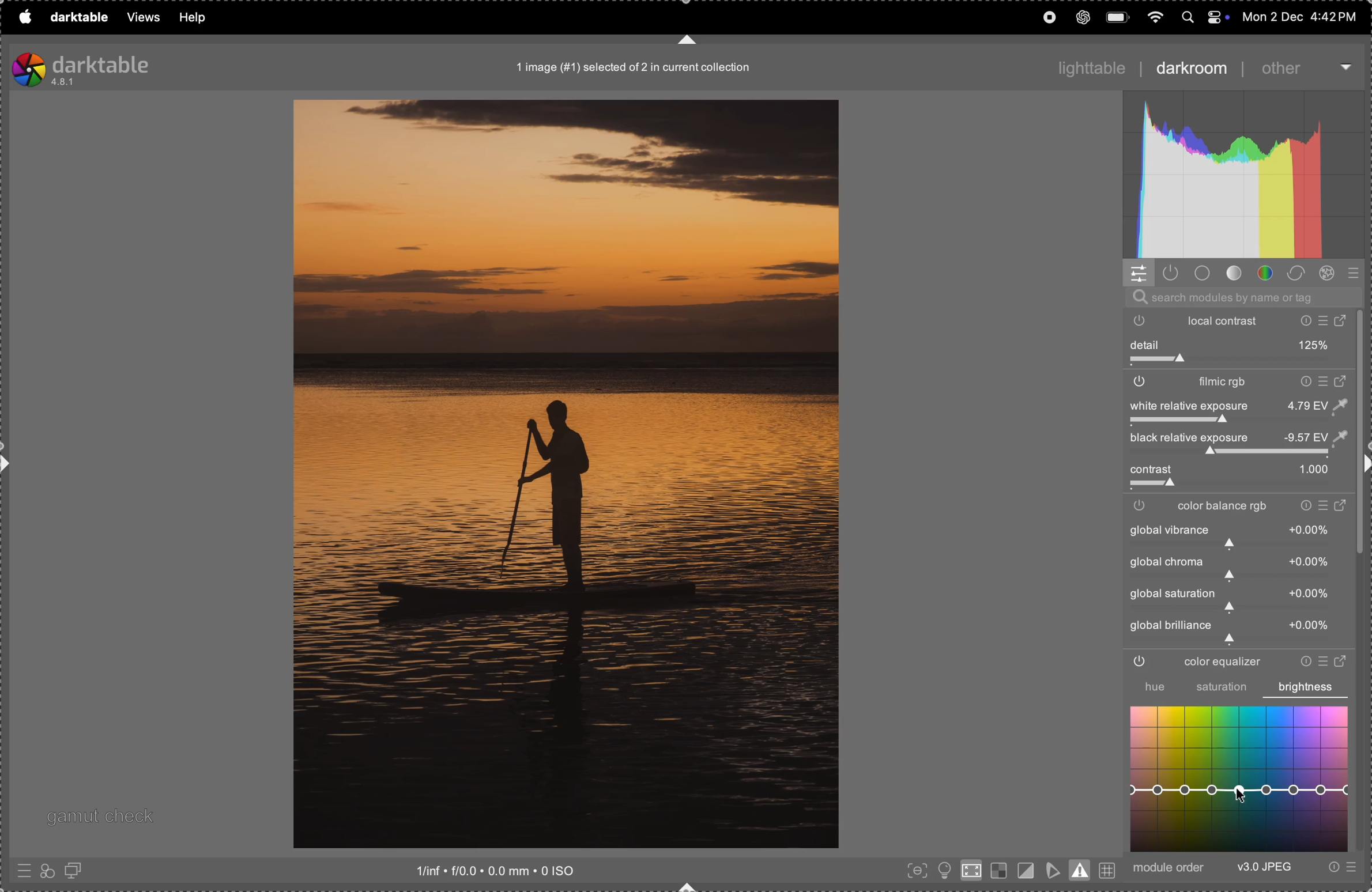 Image resolution: width=1372 pixels, height=892 pixels. What do you see at coordinates (1351, 274) in the screenshot?
I see `all modules` at bounding box center [1351, 274].